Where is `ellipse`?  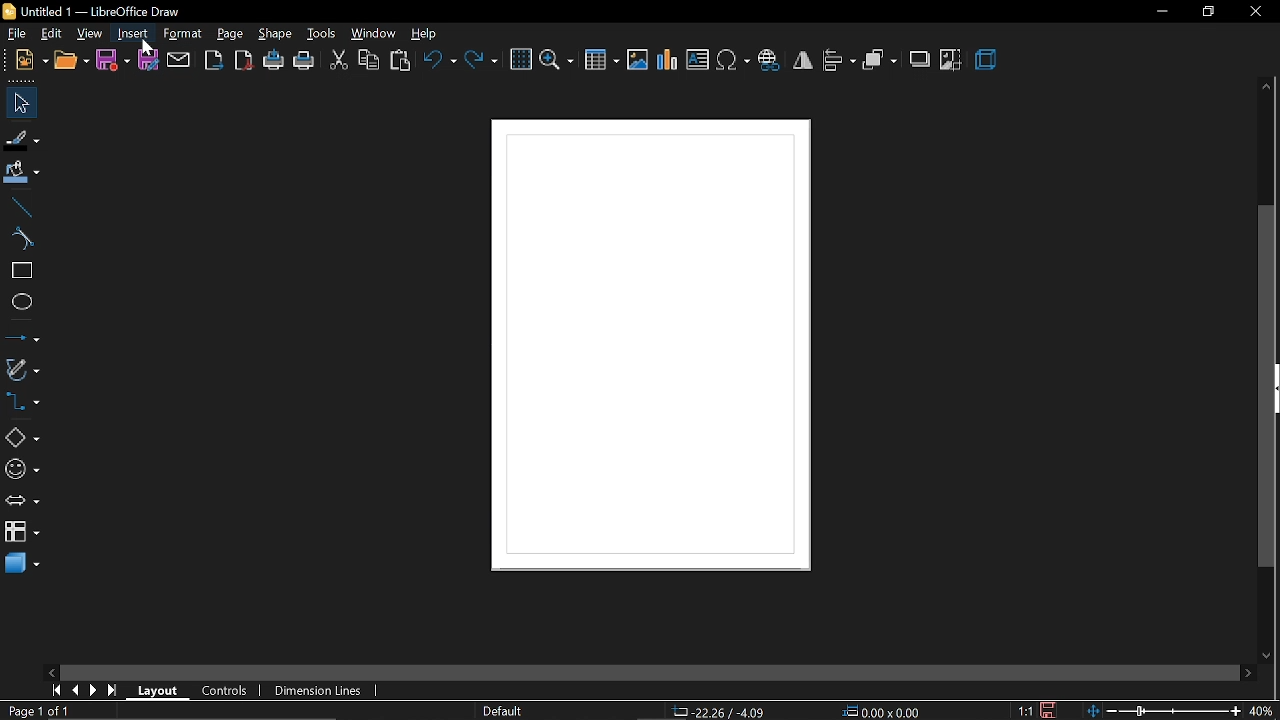 ellipse is located at coordinates (20, 302).